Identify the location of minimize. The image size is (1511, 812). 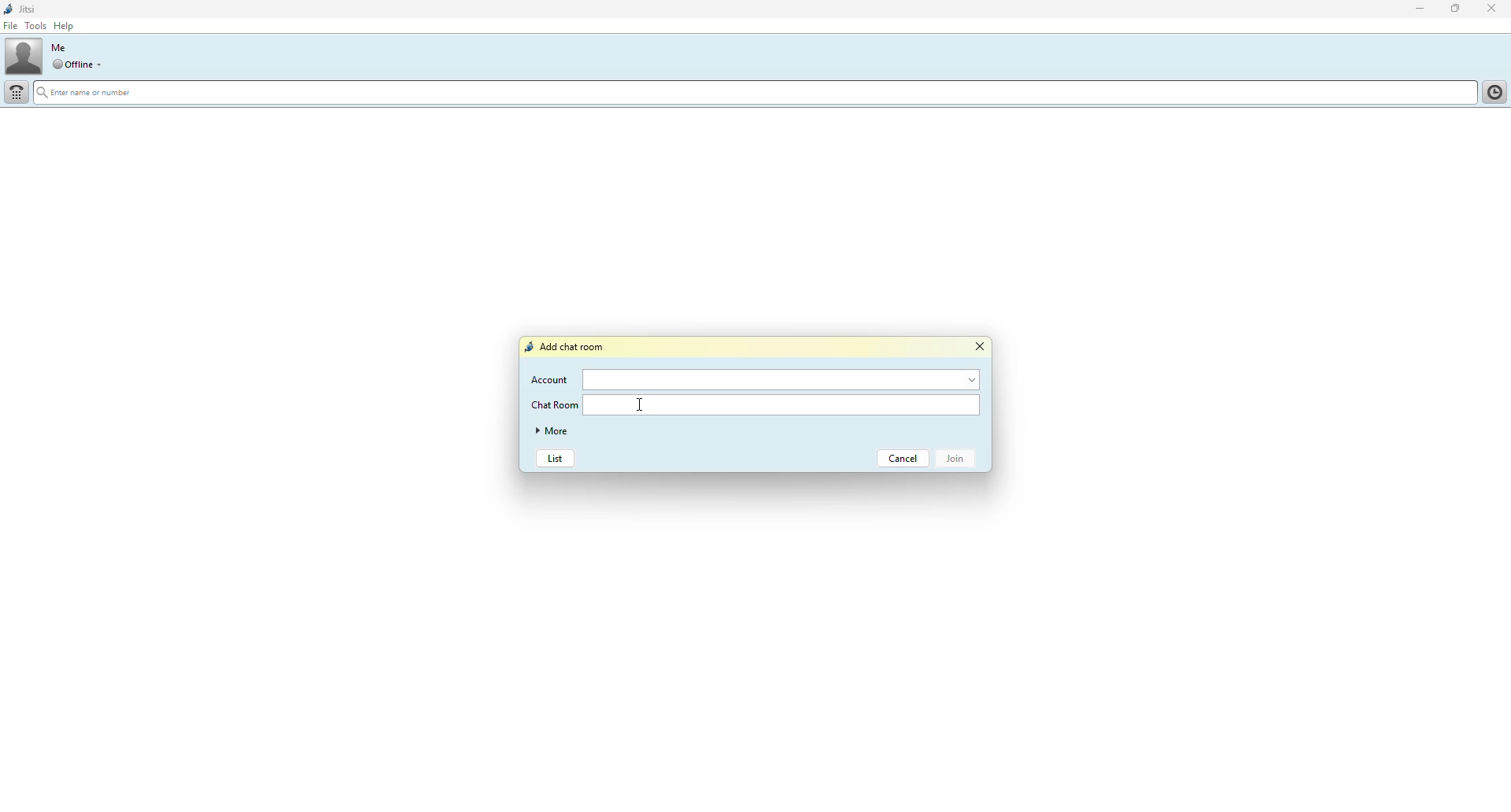
(1413, 9).